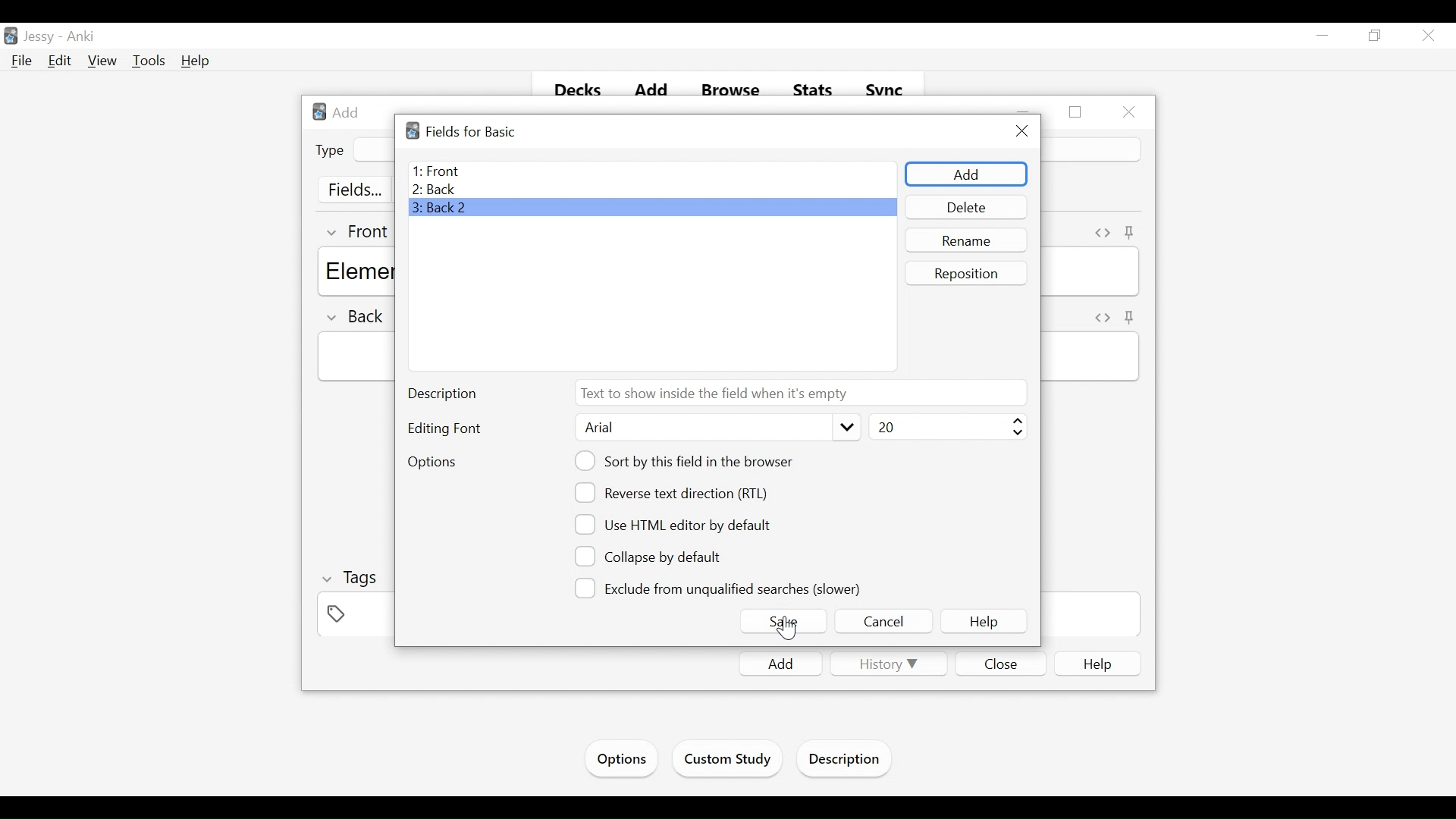  Describe the element at coordinates (966, 241) in the screenshot. I see `Rename` at that location.